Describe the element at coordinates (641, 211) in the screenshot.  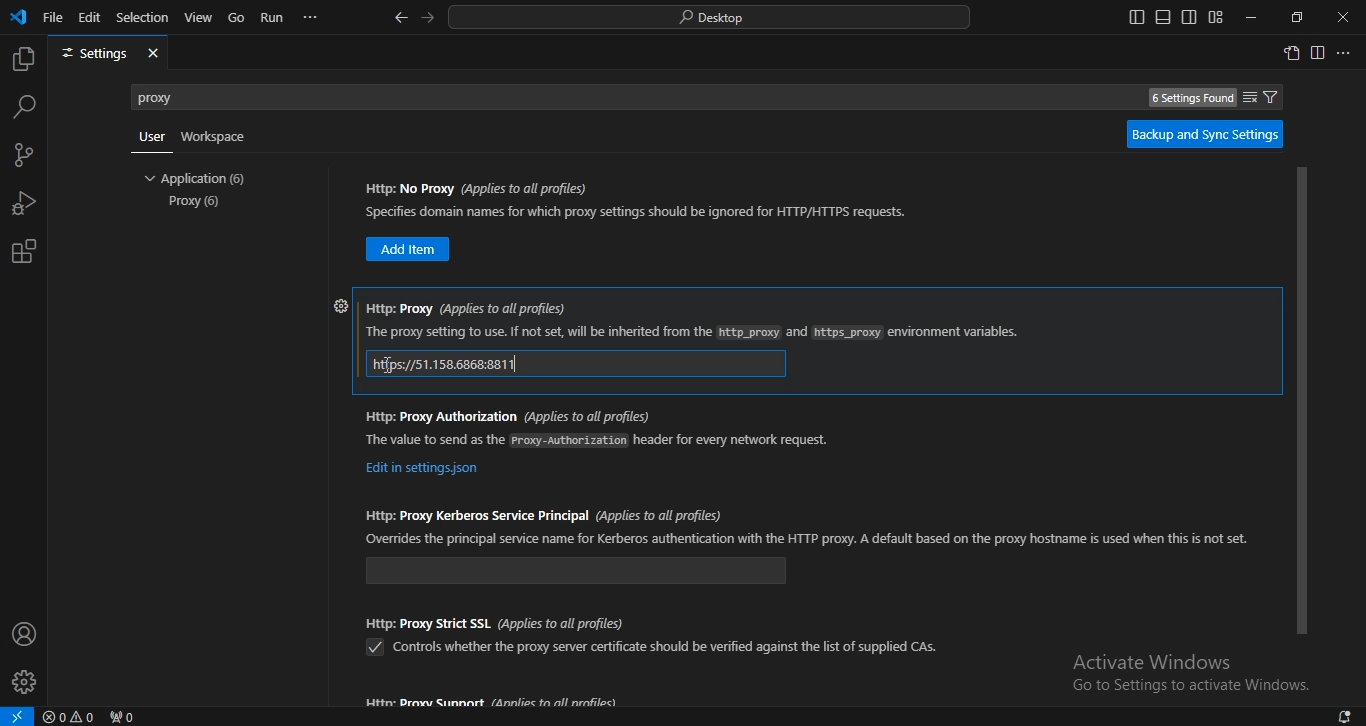
I see `https: no proxy` at that location.